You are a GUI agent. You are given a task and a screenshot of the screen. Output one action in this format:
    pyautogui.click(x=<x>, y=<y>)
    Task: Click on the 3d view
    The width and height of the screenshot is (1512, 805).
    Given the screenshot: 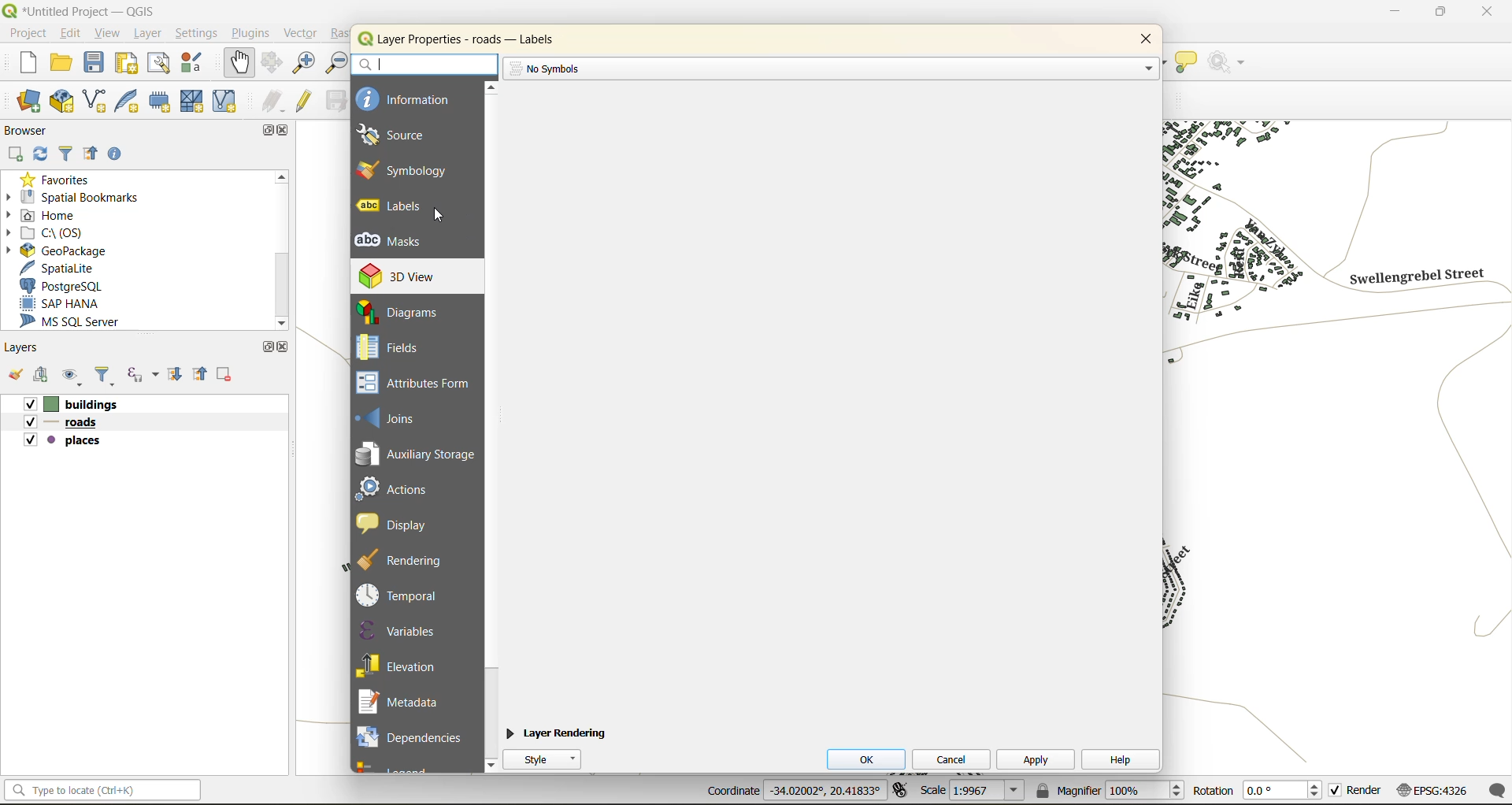 What is the action you would take?
    pyautogui.click(x=408, y=276)
    